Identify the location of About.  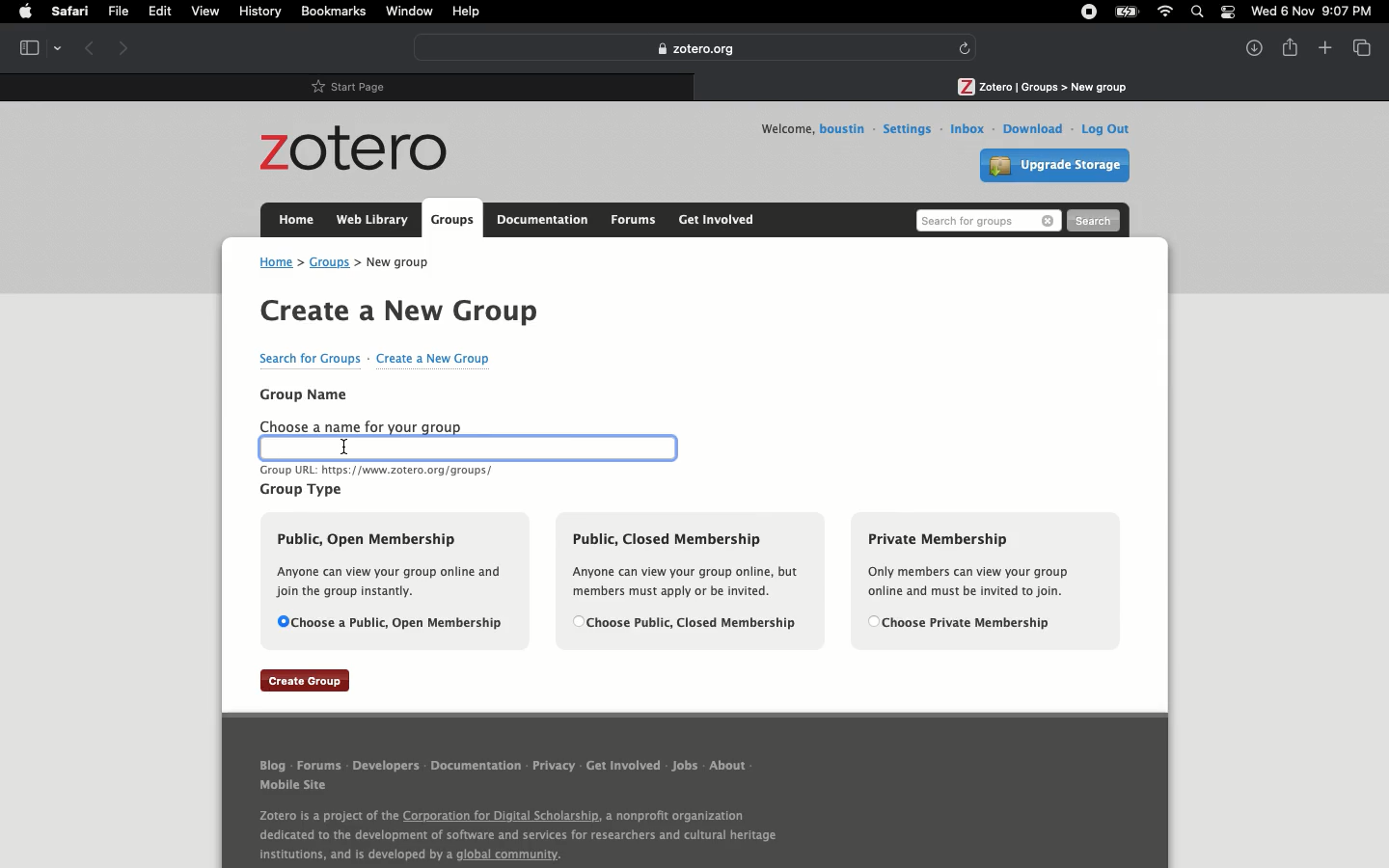
(729, 764).